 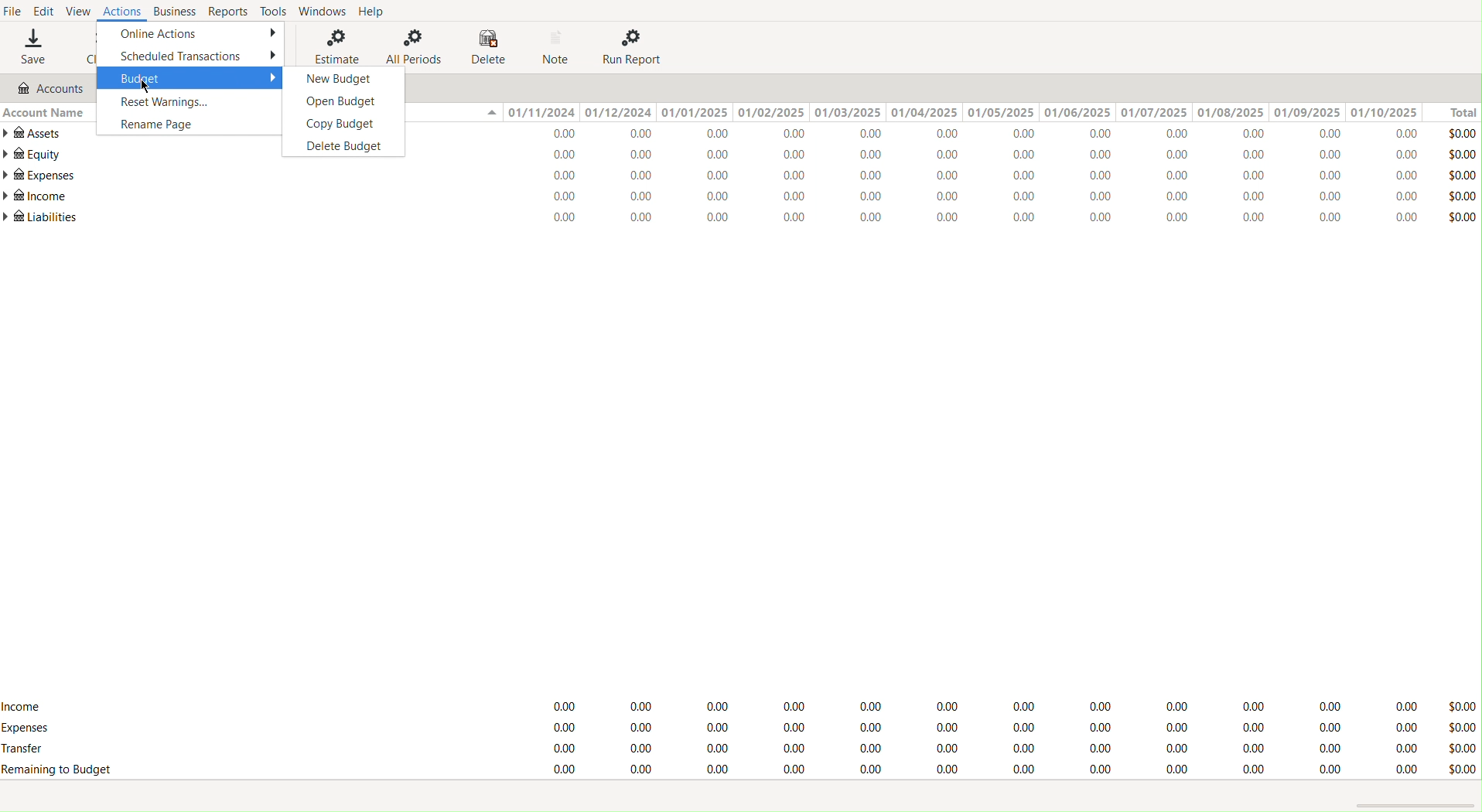 I want to click on Remaining to Budget, so click(x=984, y=770).